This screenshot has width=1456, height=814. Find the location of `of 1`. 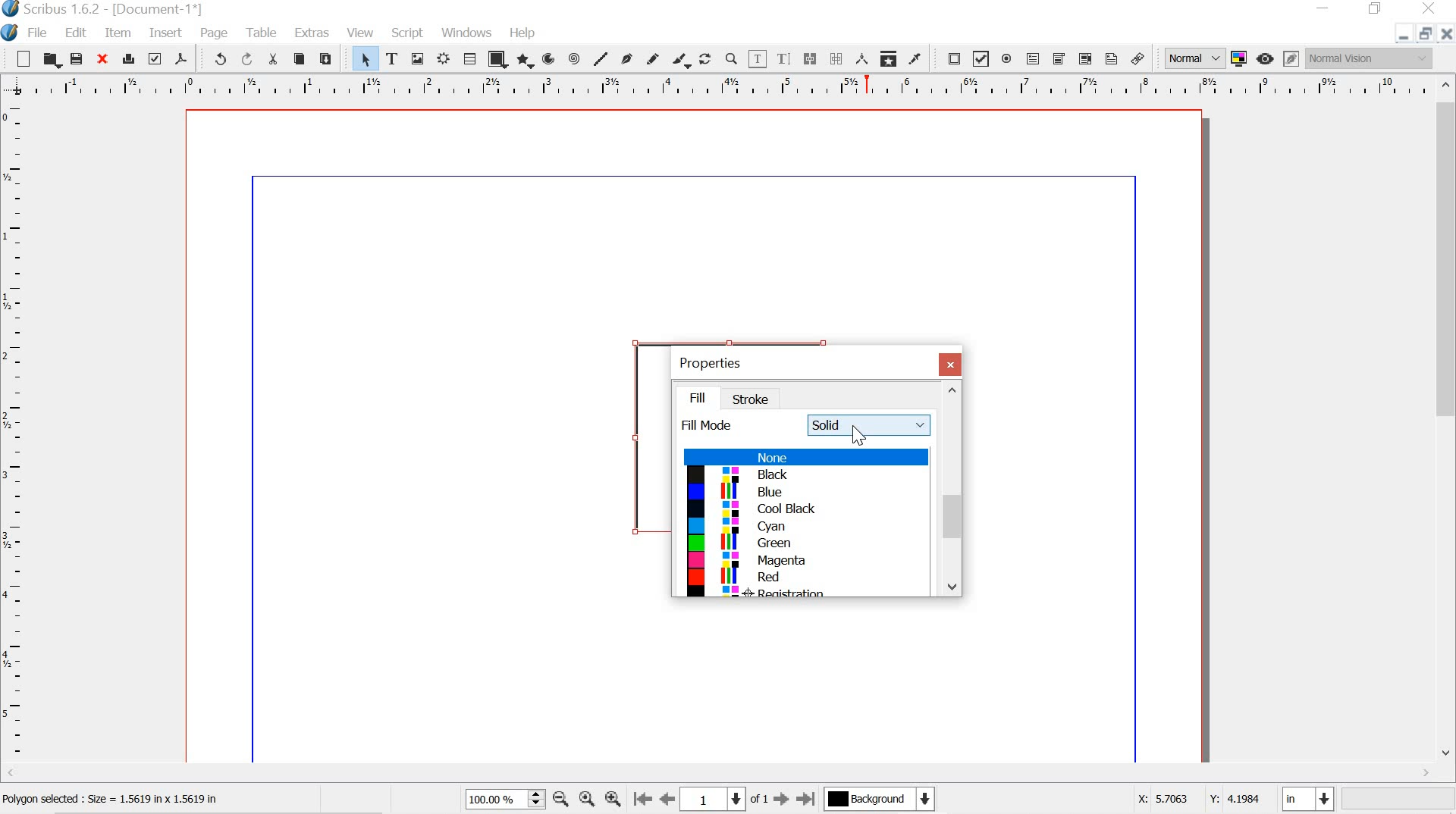

of 1 is located at coordinates (759, 800).